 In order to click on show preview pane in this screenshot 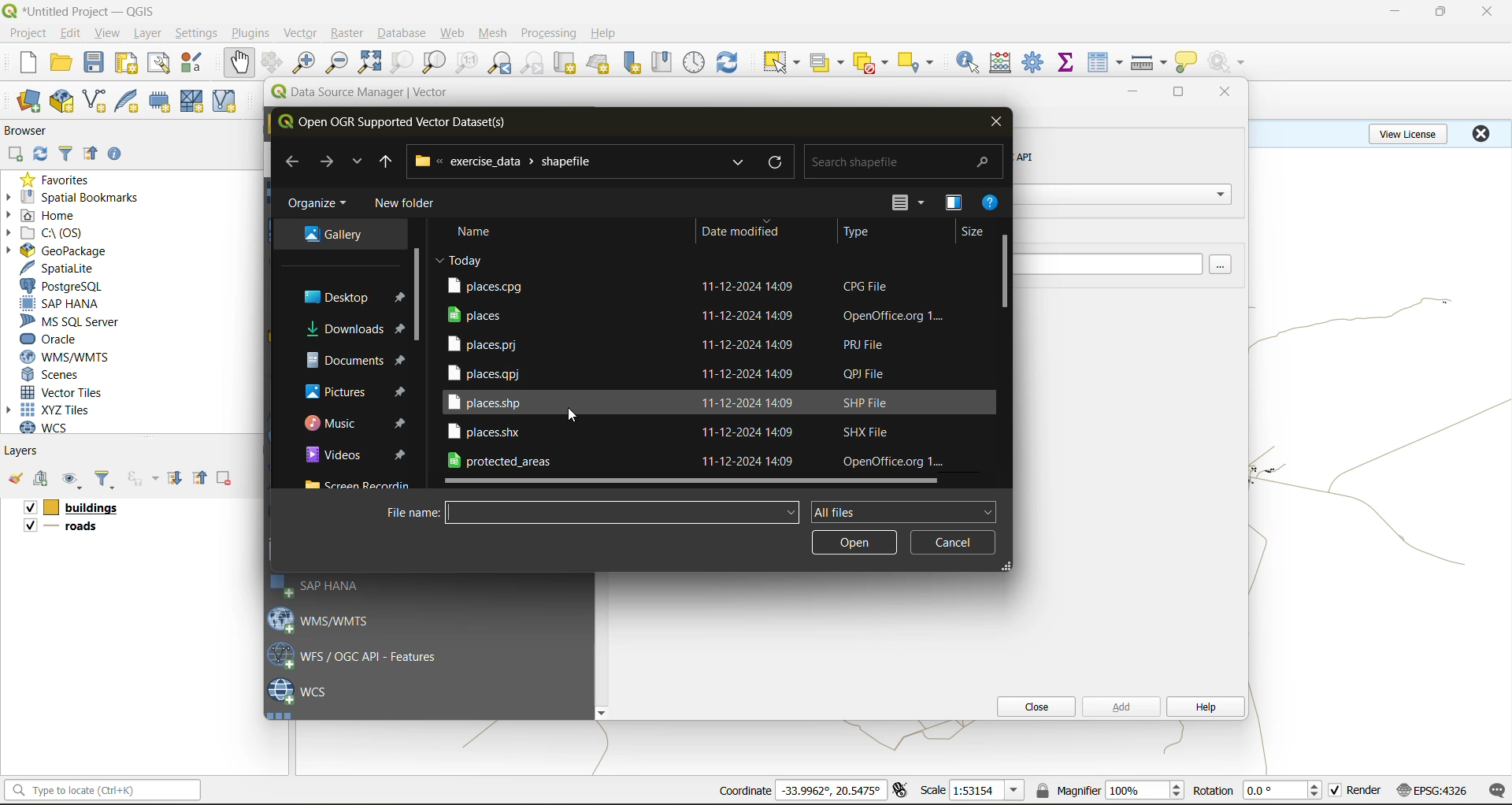, I will do `click(952, 204)`.